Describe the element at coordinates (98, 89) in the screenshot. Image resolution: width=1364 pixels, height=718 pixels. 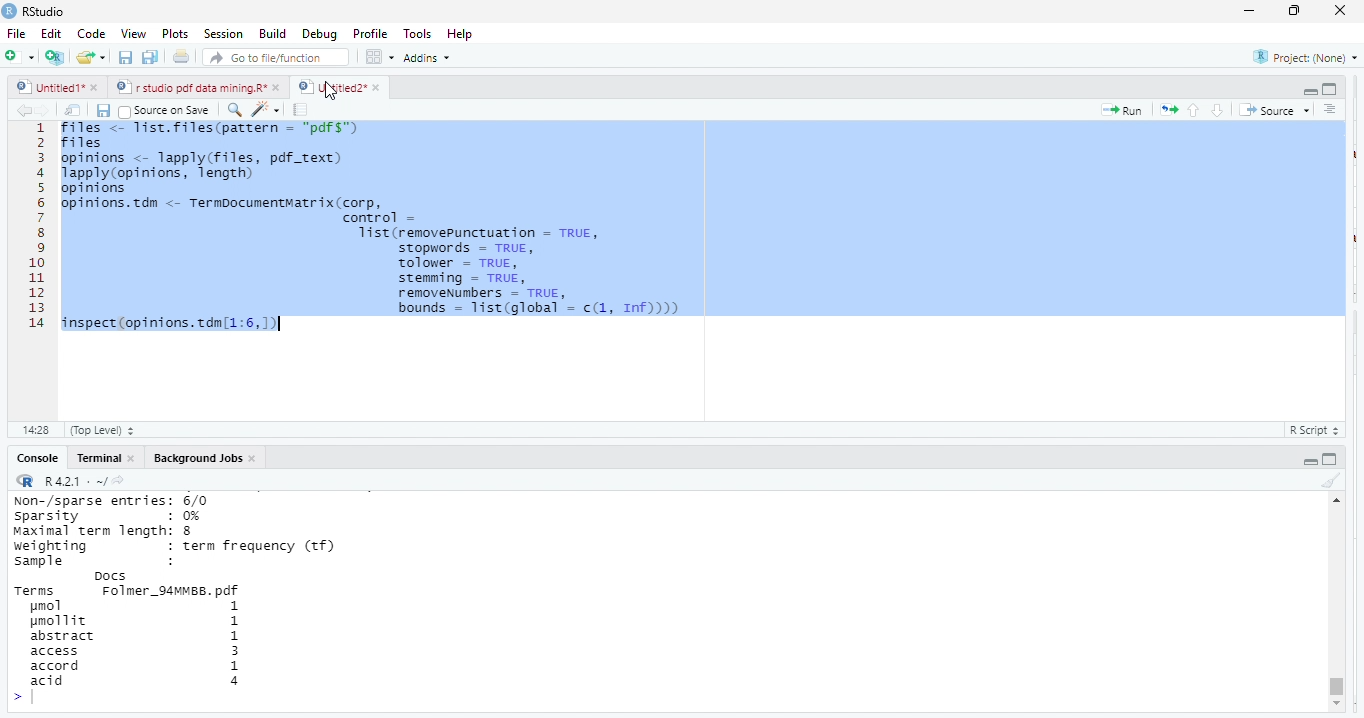
I see `close` at that location.